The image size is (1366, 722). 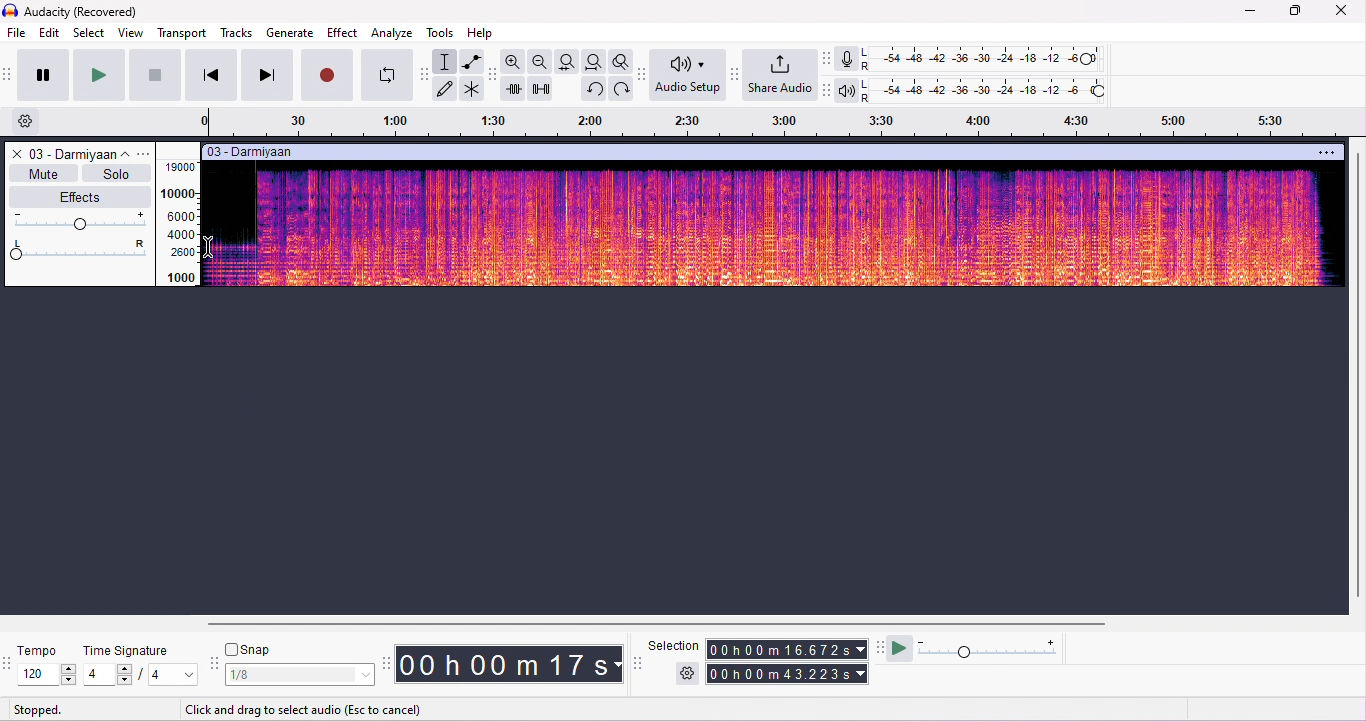 What do you see at coordinates (688, 673) in the screenshot?
I see `selection settings` at bounding box center [688, 673].